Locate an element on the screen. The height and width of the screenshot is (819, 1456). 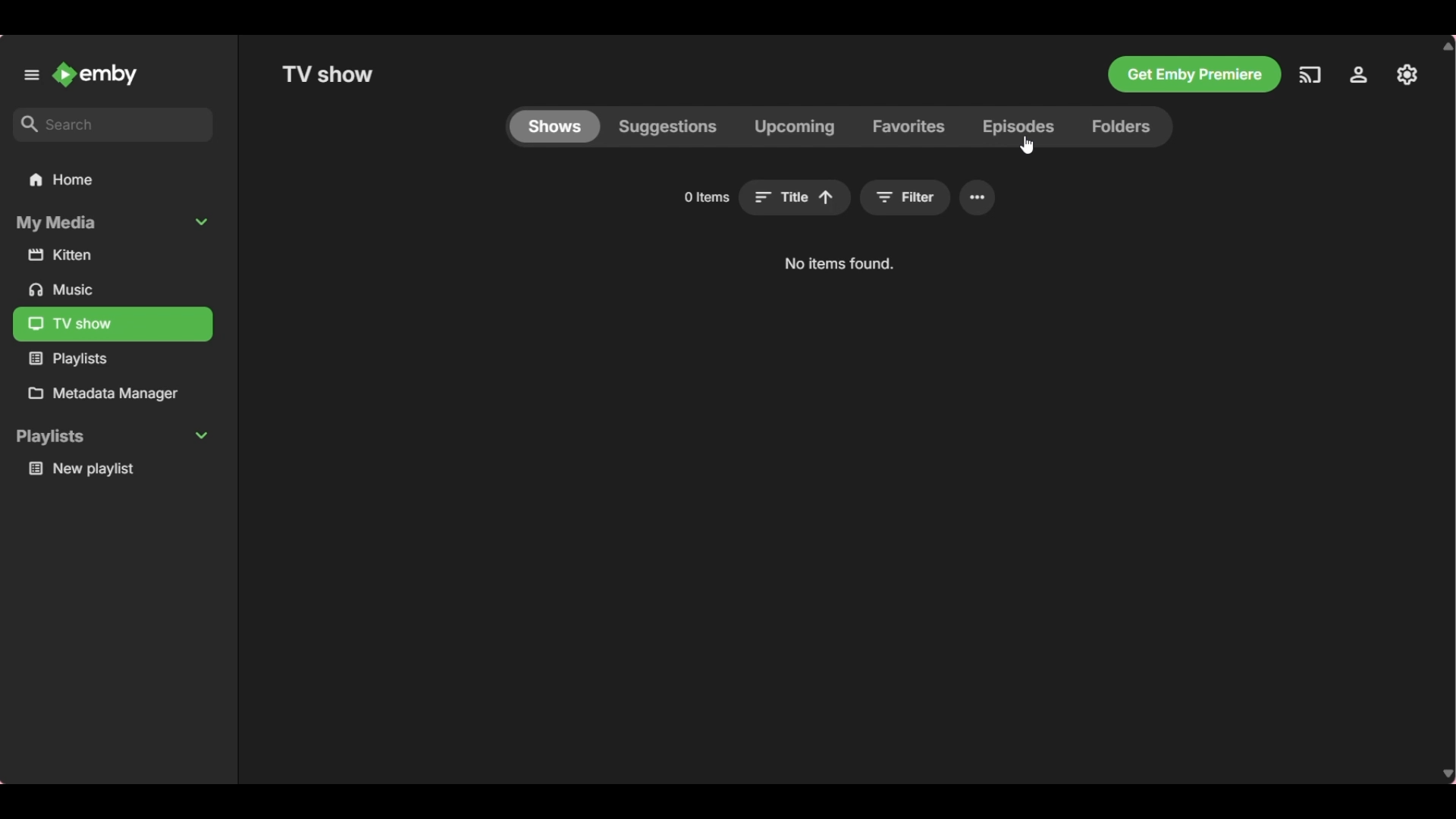
Metadata manager is located at coordinates (116, 394).